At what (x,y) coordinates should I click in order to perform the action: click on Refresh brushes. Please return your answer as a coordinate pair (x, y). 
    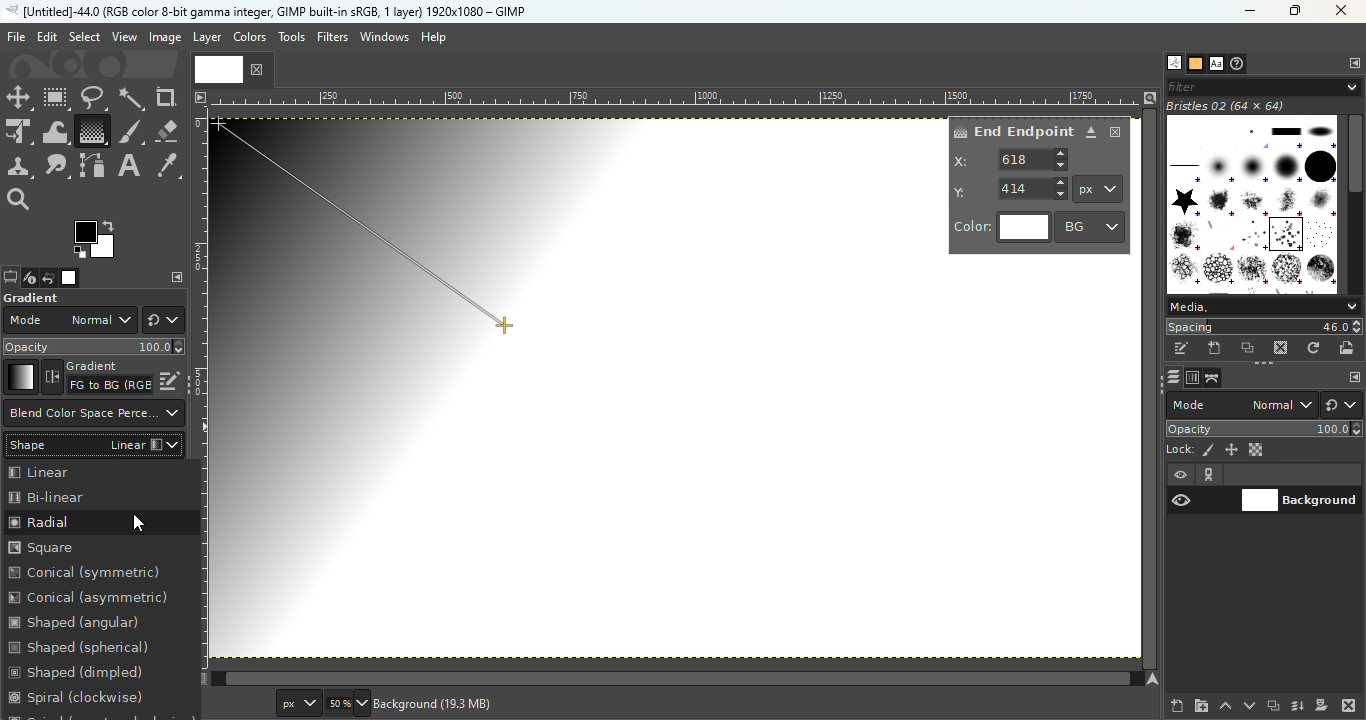
    Looking at the image, I should click on (1314, 348).